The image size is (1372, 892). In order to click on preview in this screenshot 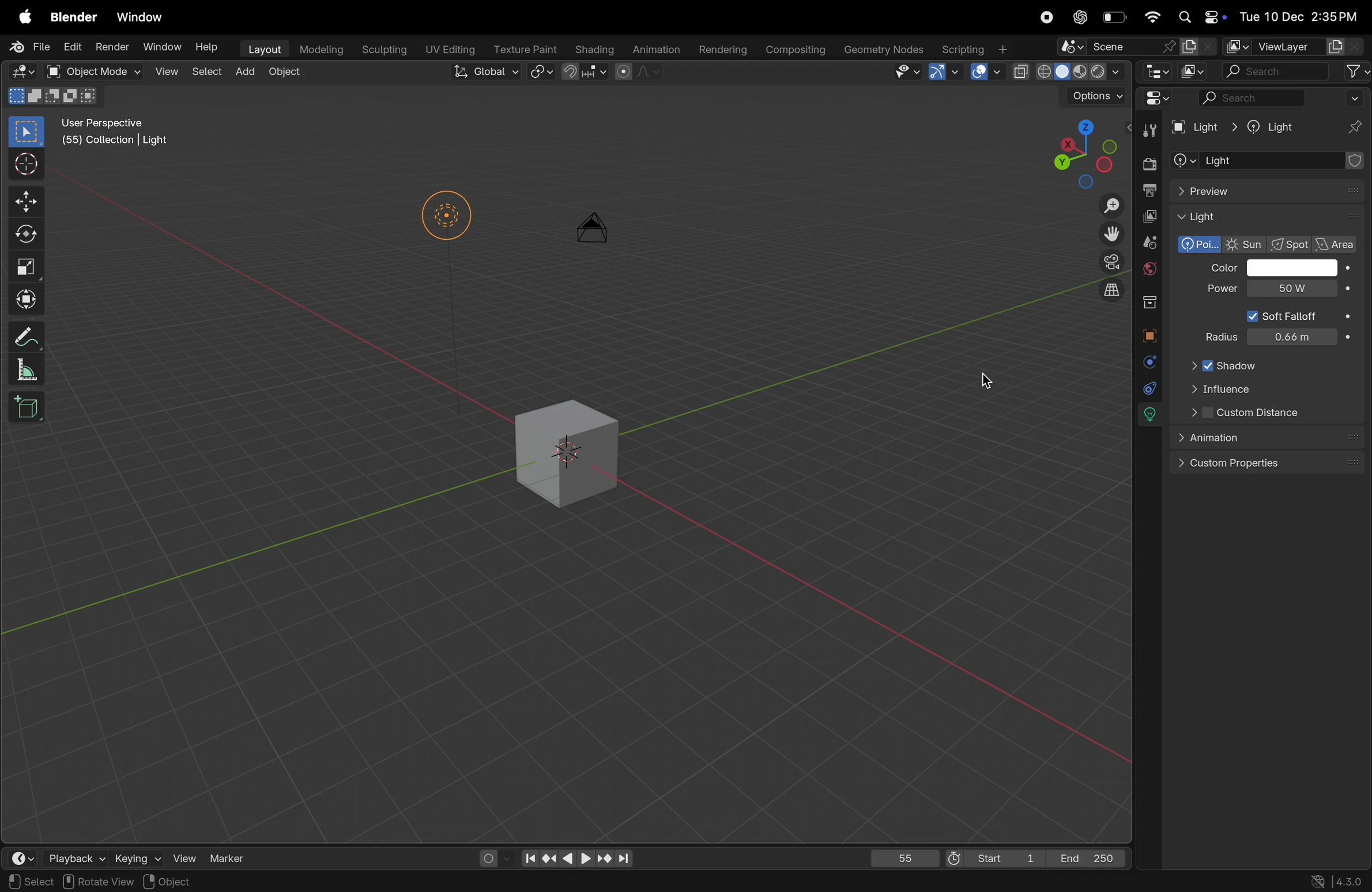, I will do `click(1268, 190)`.